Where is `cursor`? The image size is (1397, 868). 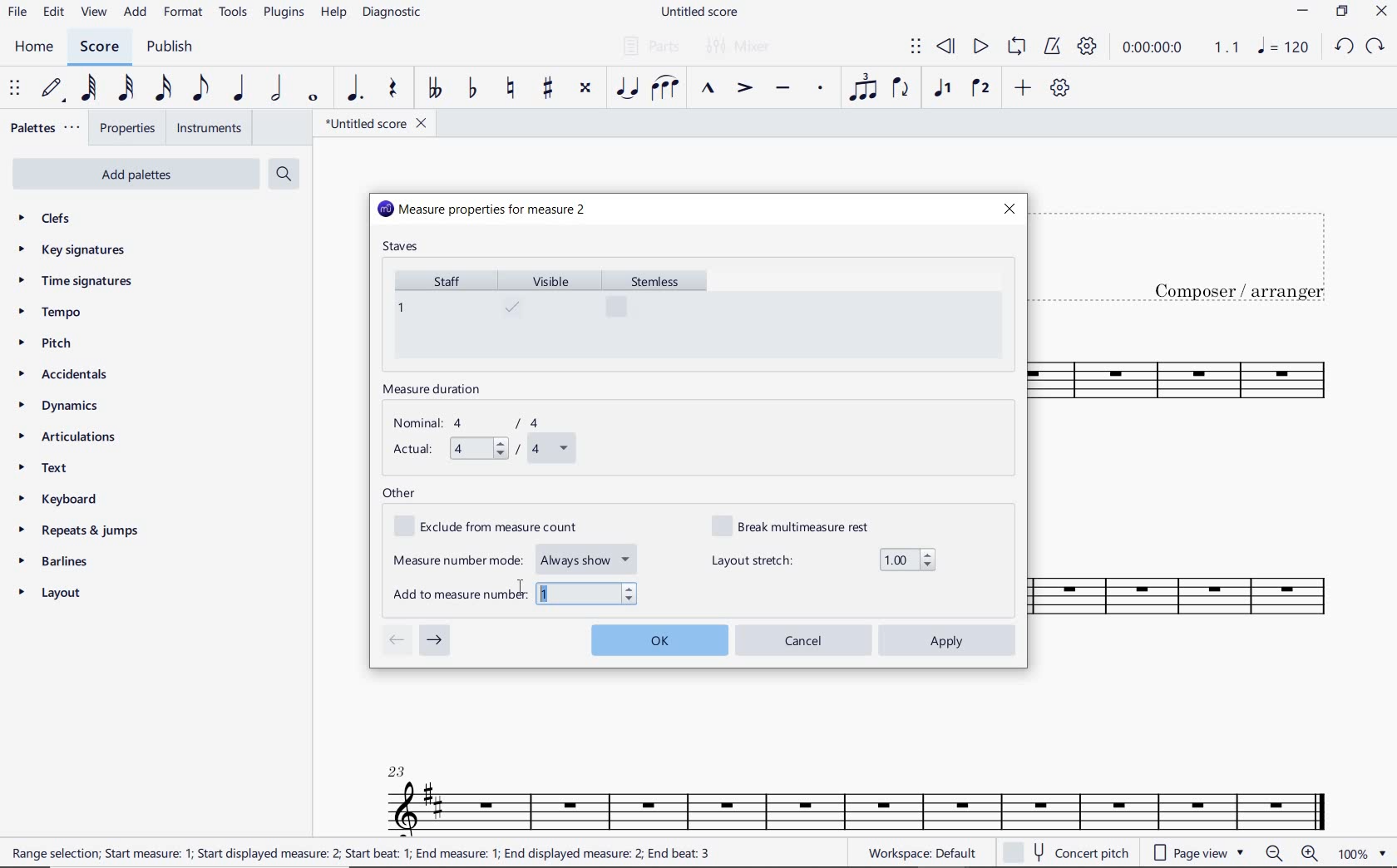 cursor is located at coordinates (520, 589).